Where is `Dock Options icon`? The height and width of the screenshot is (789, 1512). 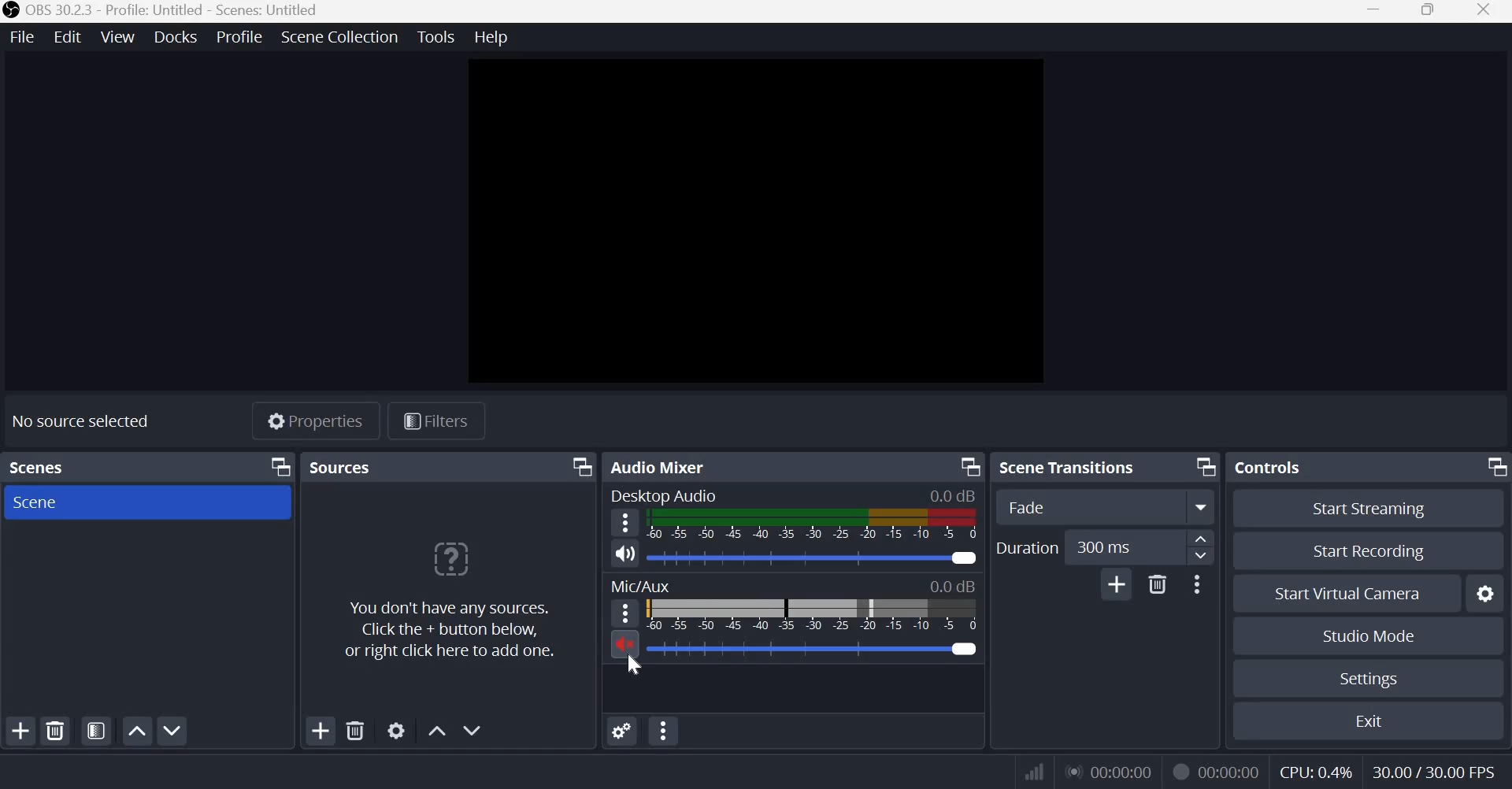 Dock Options icon is located at coordinates (965, 467).